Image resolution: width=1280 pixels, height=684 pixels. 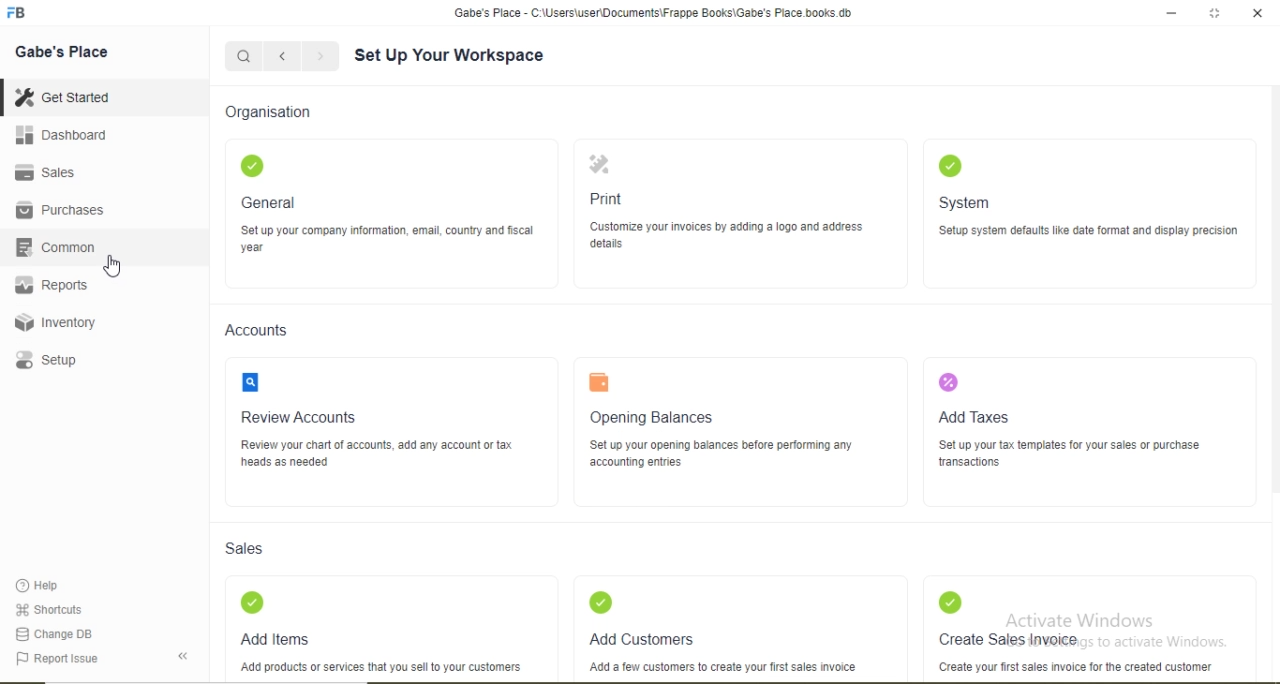 What do you see at coordinates (182, 656) in the screenshot?
I see `Back` at bounding box center [182, 656].